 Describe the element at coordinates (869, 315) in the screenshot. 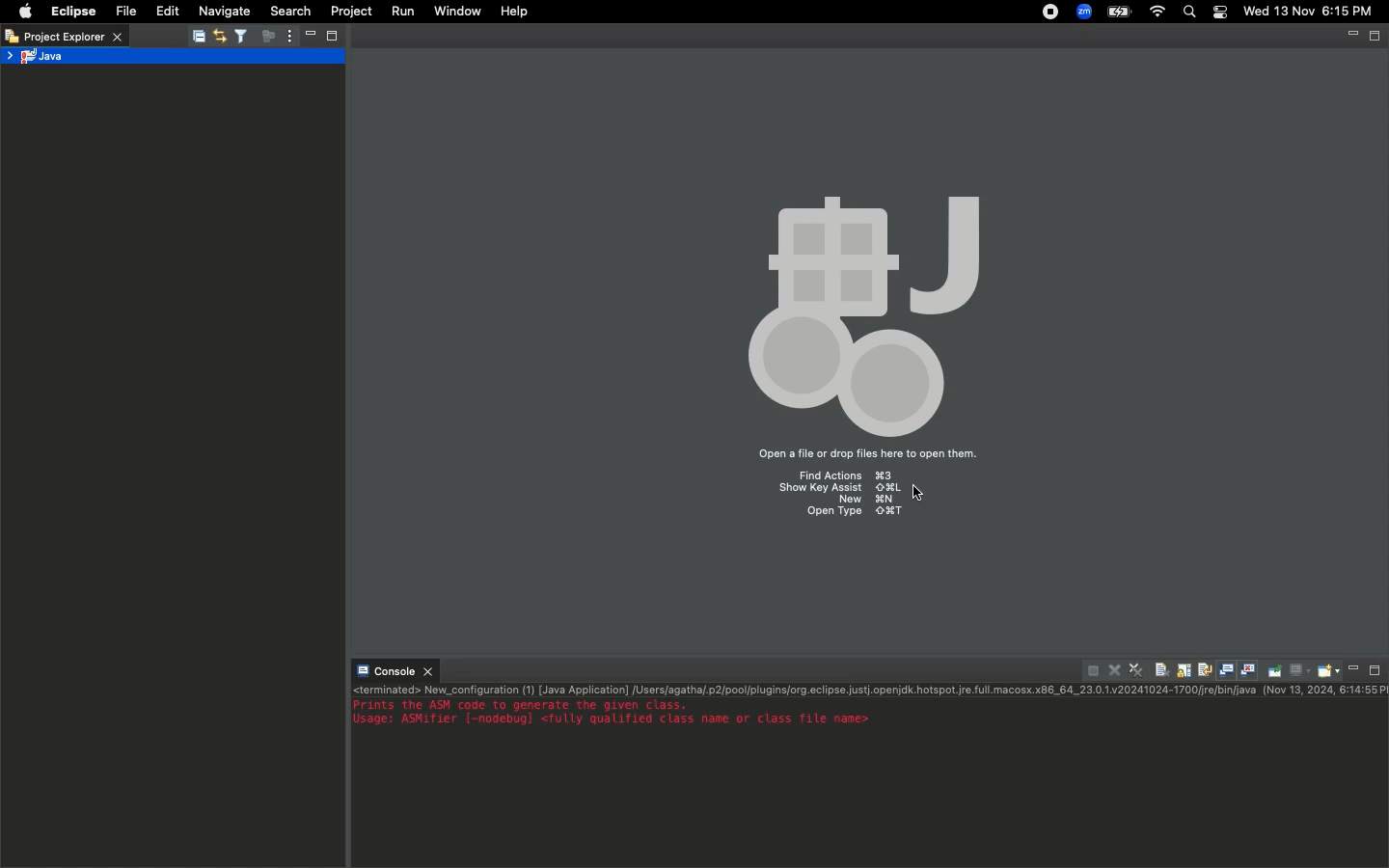

I see `Icon` at that location.